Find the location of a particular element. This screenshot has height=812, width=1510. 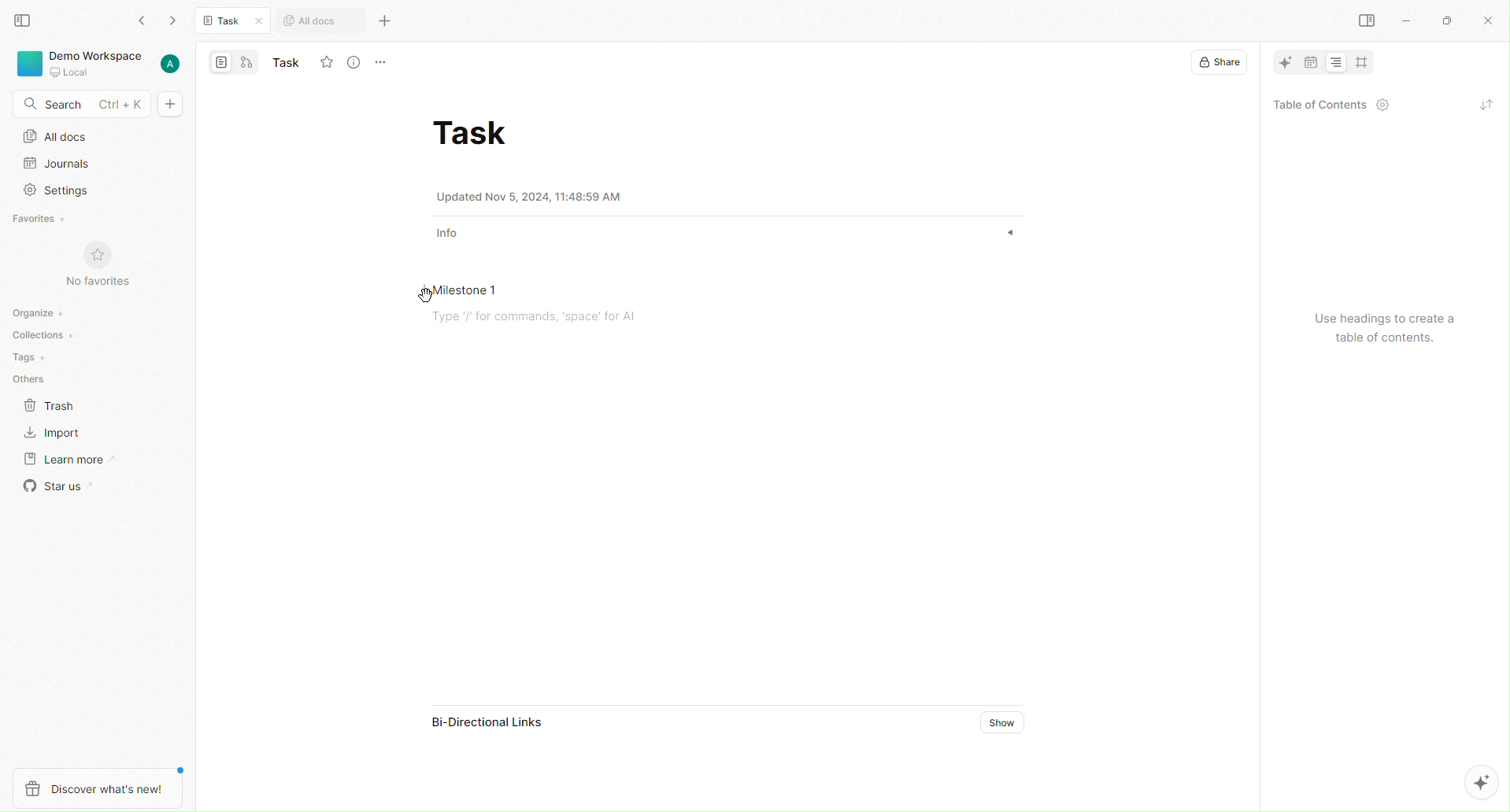

Share is located at coordinates (1219, 63).